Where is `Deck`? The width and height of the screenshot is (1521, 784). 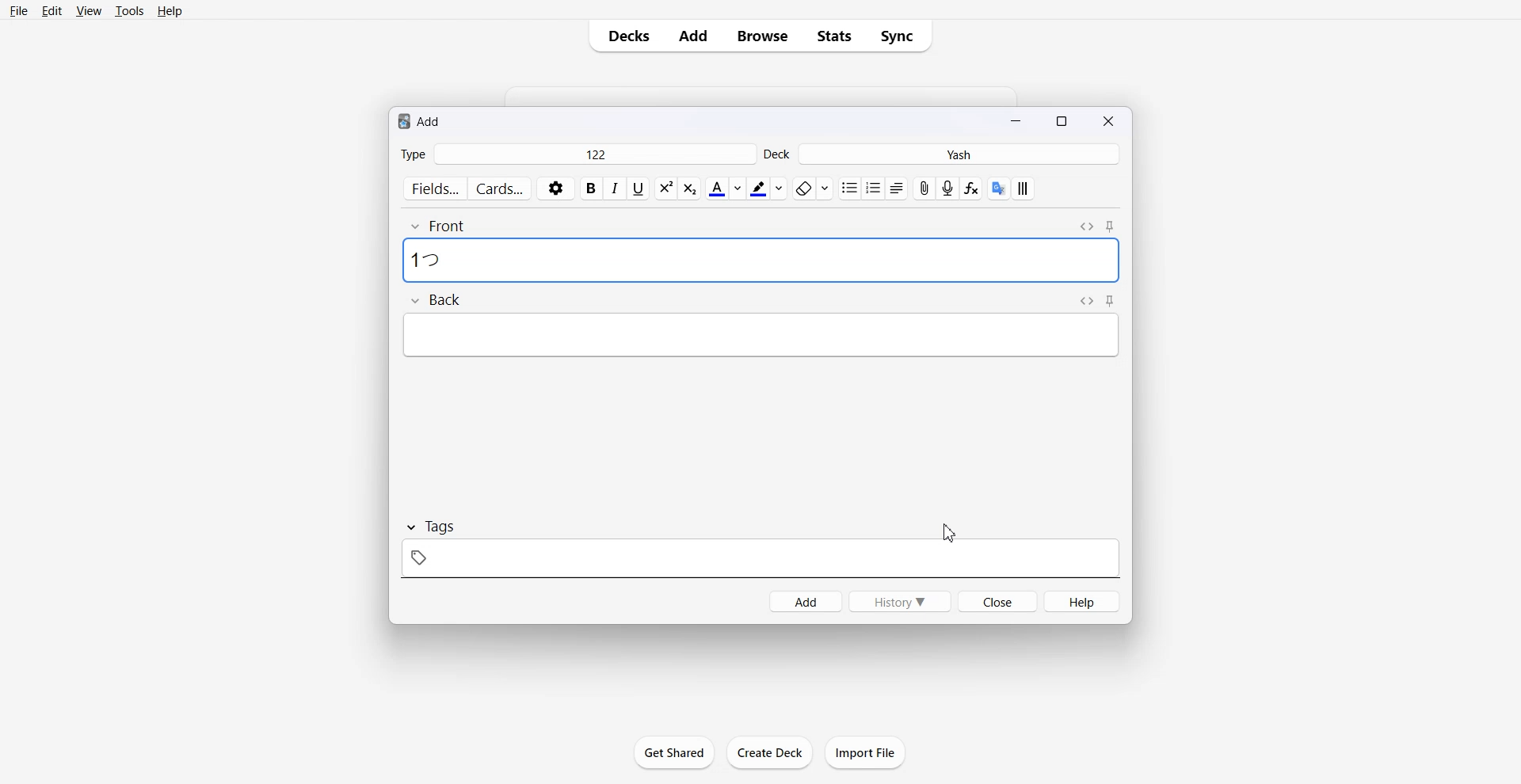 Deck is located at coordinates (779, 154).